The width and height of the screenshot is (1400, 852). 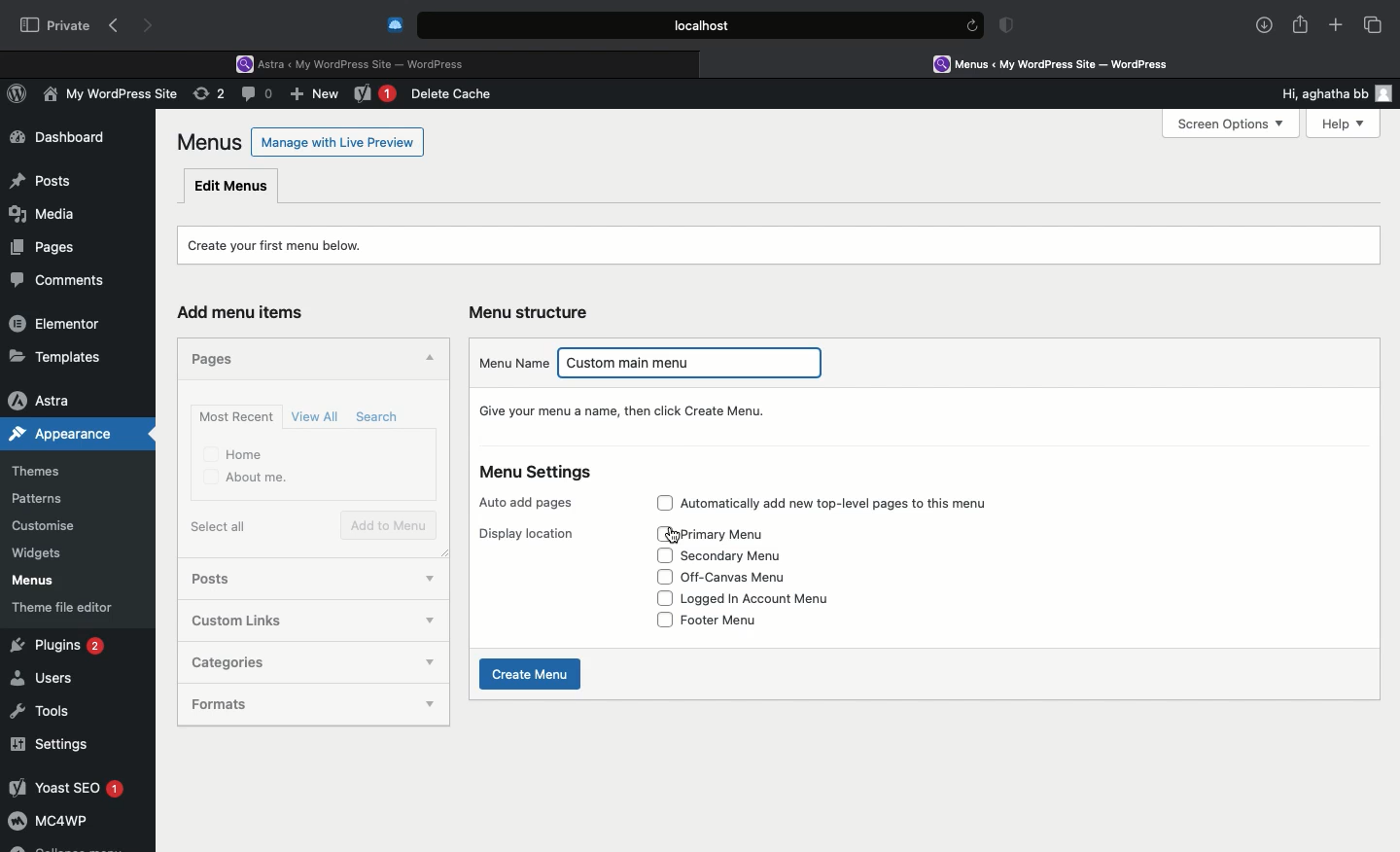 What do you see at coordinates (47, 529) in the screenshot?
I see `Customize` at bounding box center [47, 529].